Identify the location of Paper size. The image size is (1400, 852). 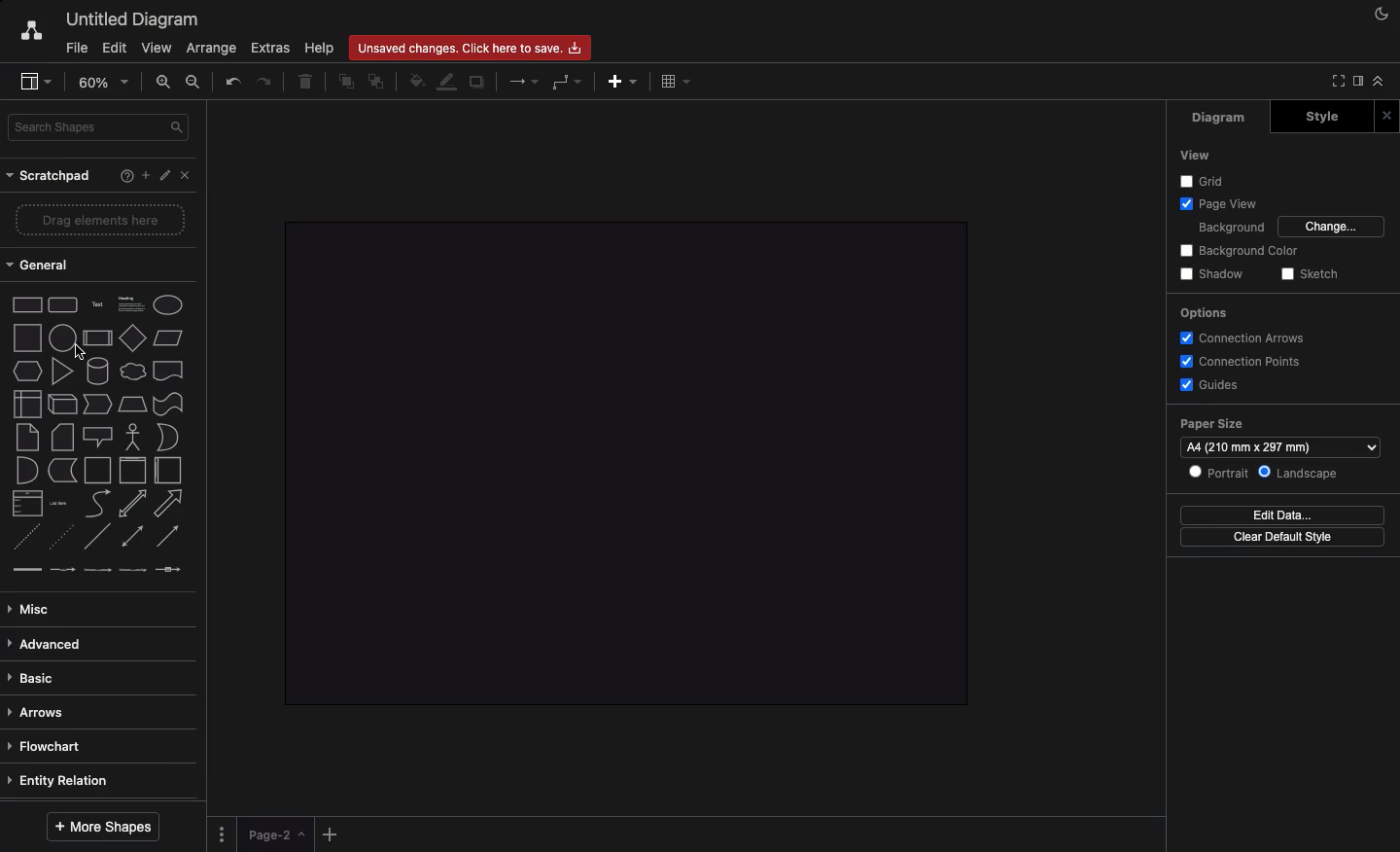
(1280, 436).